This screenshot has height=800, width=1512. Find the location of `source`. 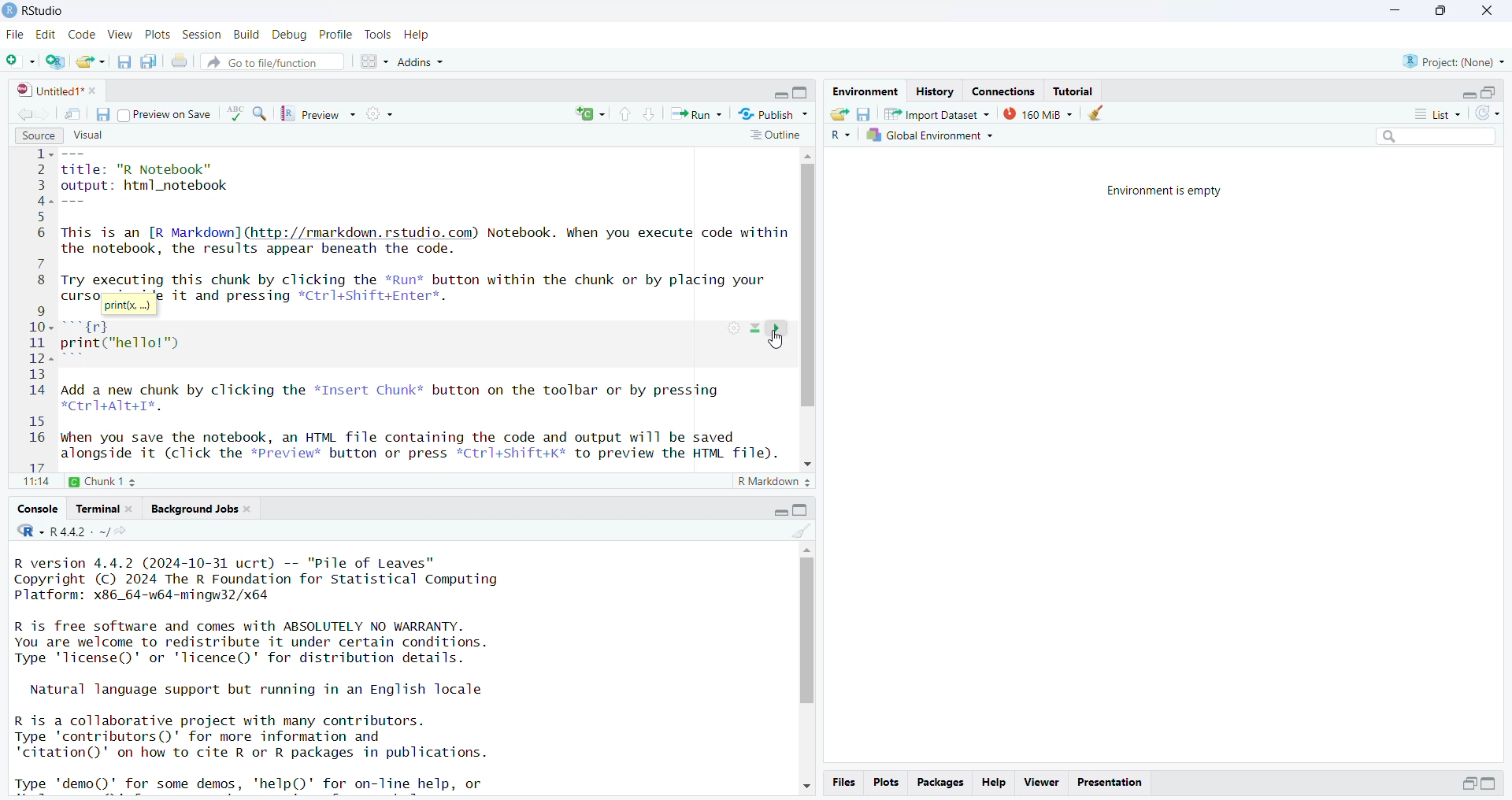

source is located at coordinates (428, 309).